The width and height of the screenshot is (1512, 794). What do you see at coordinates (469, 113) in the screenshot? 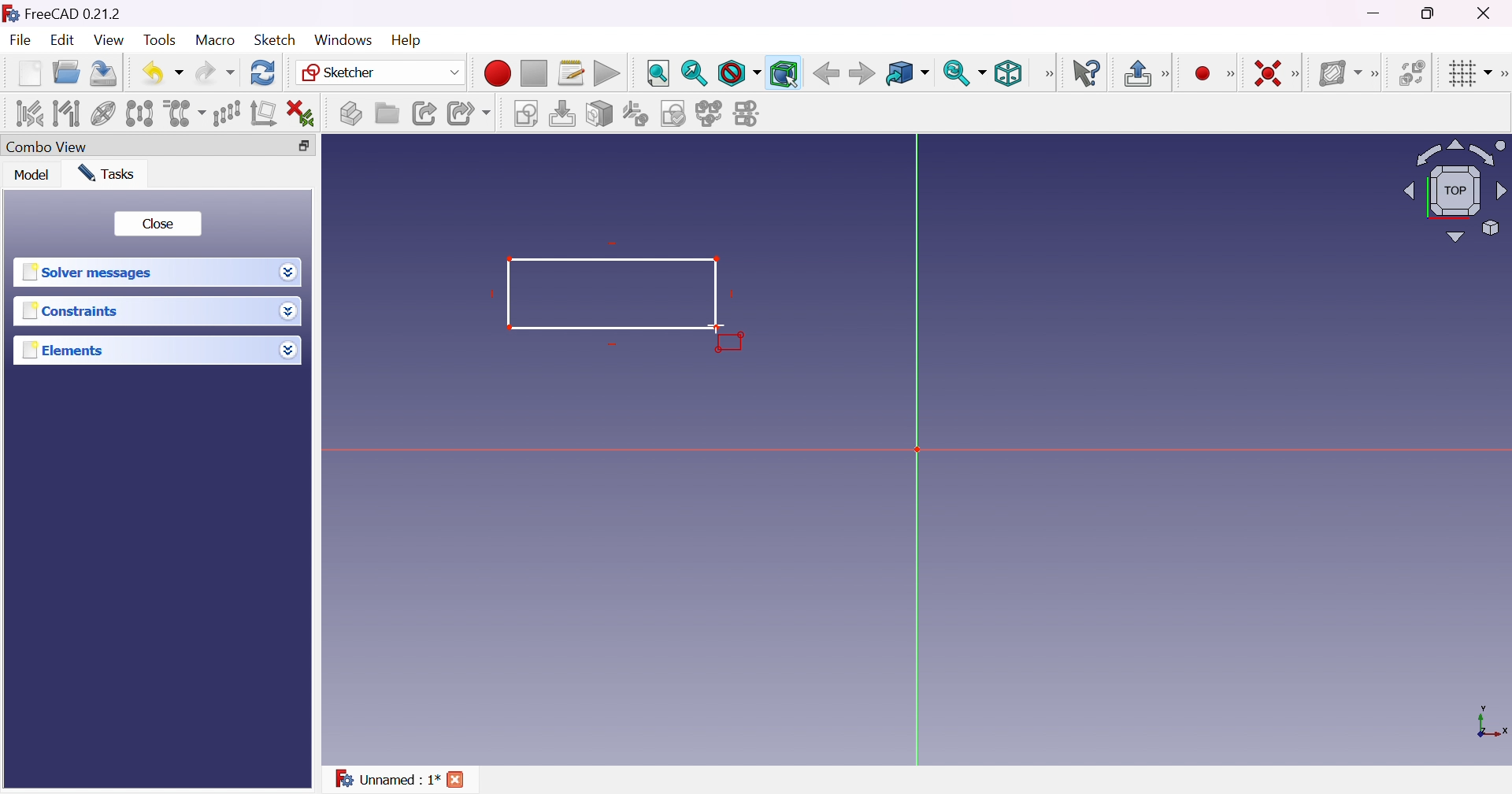
I see `Make sub-link` at bounding box center [469, 113].